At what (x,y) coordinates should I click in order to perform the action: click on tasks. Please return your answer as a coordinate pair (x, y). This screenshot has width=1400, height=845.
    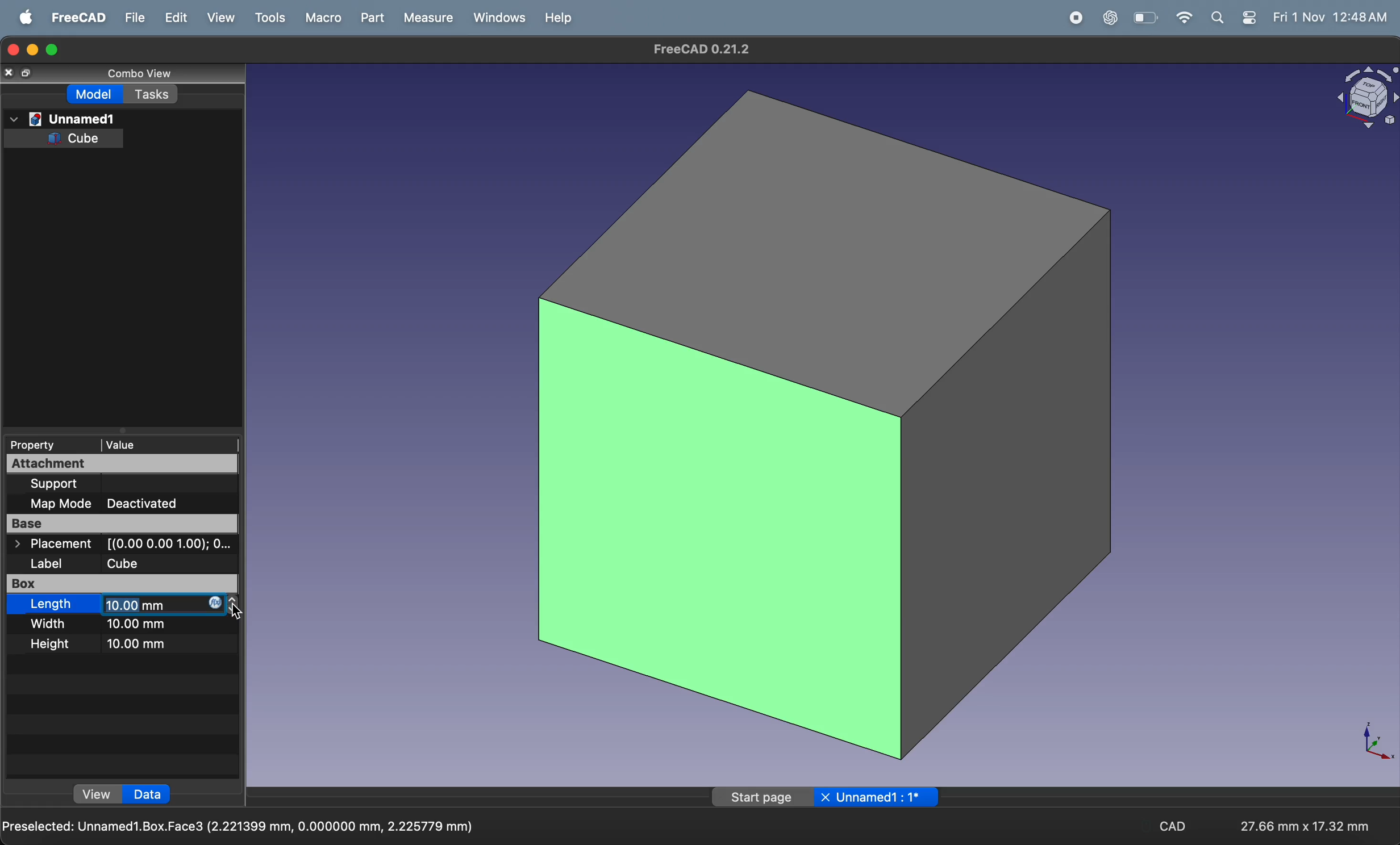
    Looking at the image, I should click on (152, 94).